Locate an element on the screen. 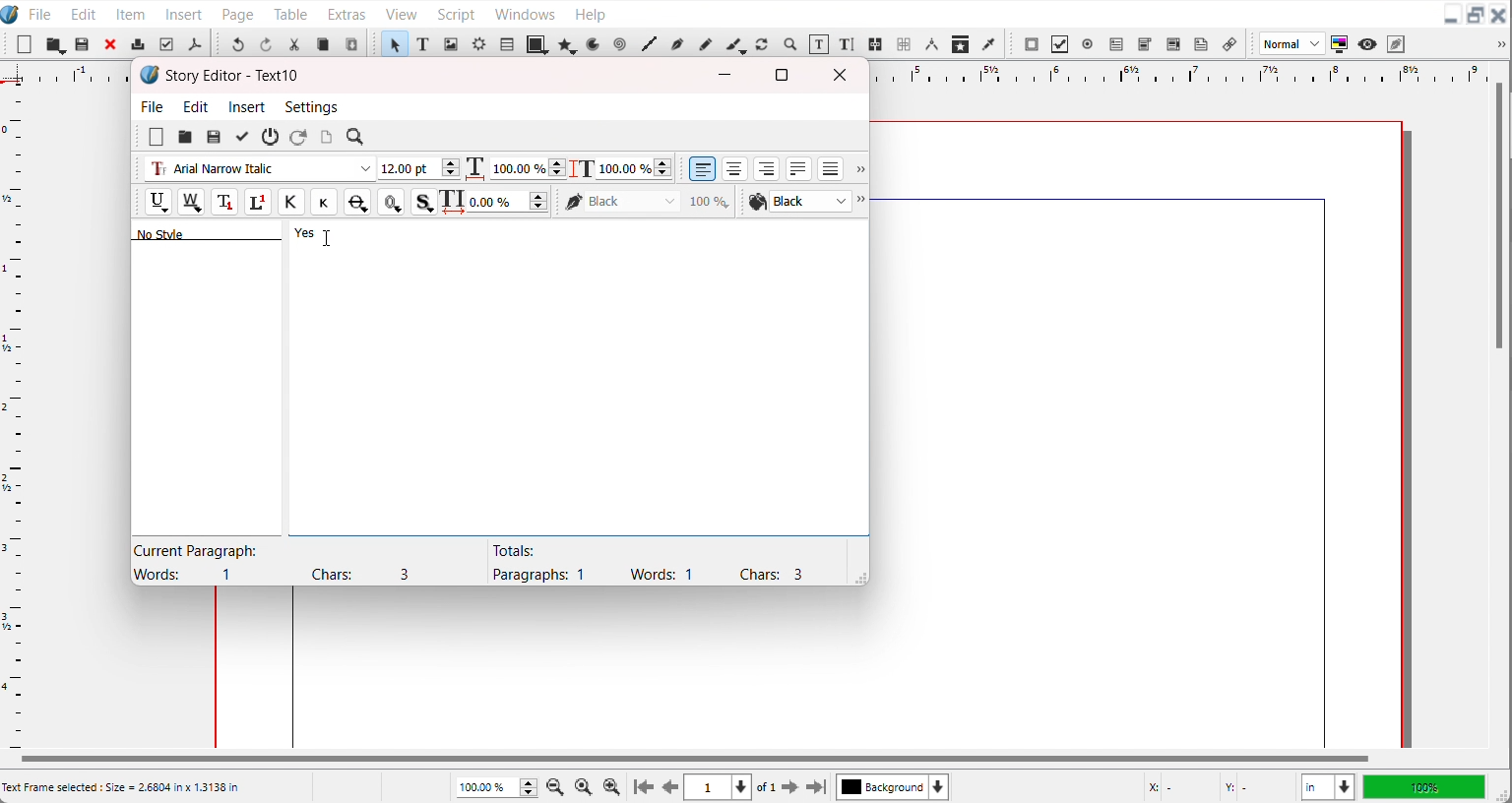 Image resolution: width=1512 pixels, height=803 pixels. Save is located at coordinates (55, 44).